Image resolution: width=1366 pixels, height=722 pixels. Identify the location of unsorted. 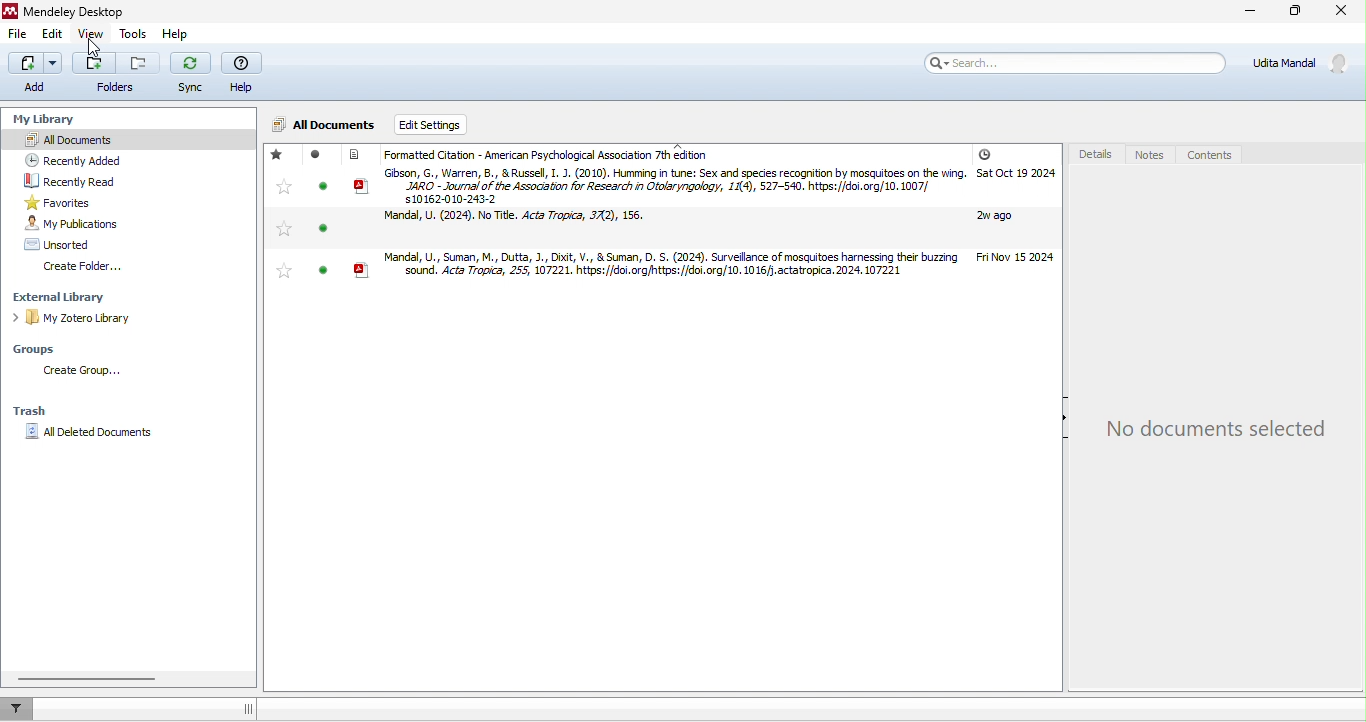
(69, 245).